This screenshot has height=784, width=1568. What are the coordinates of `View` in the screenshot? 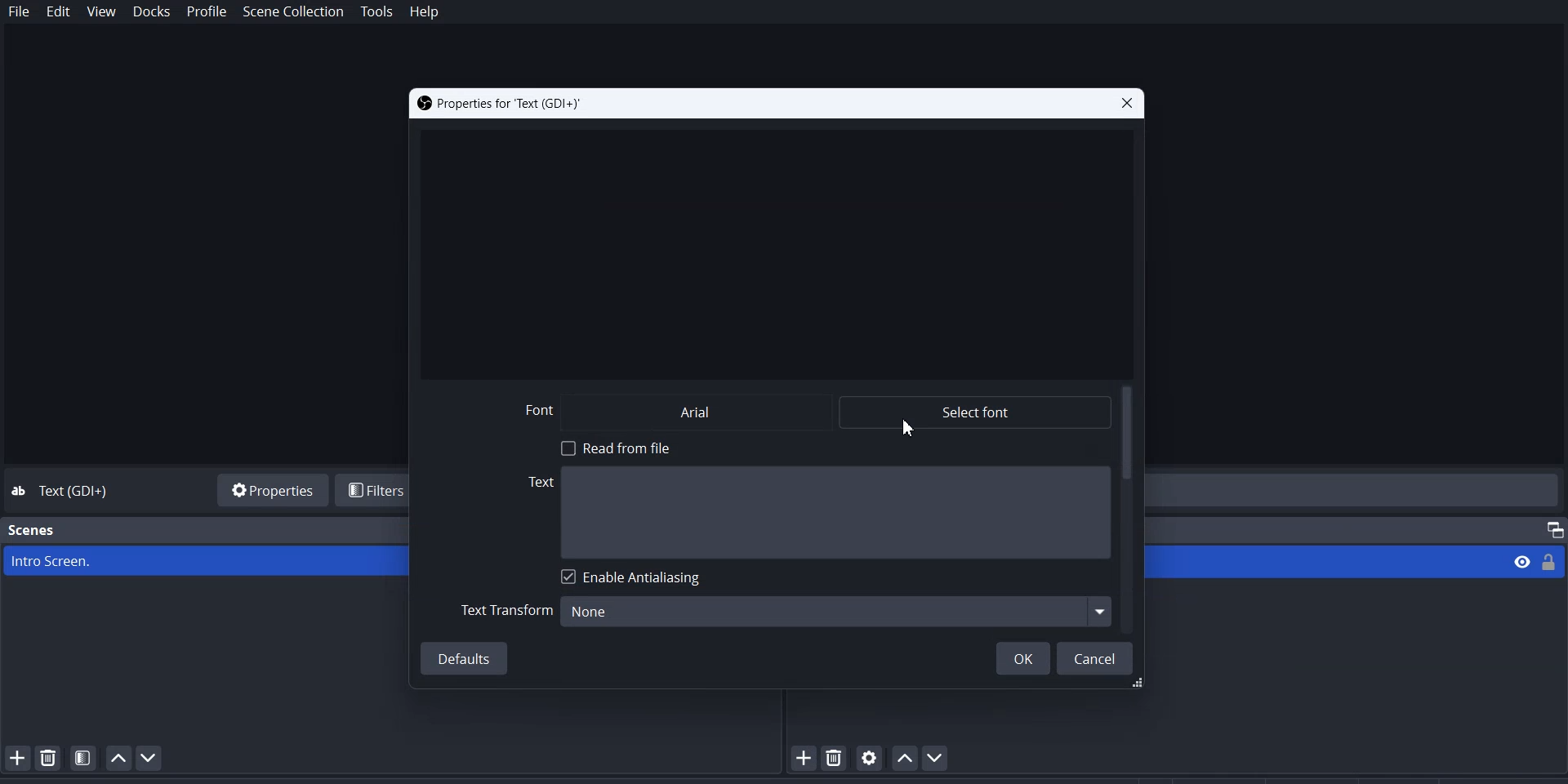 It's located at (102, 12).